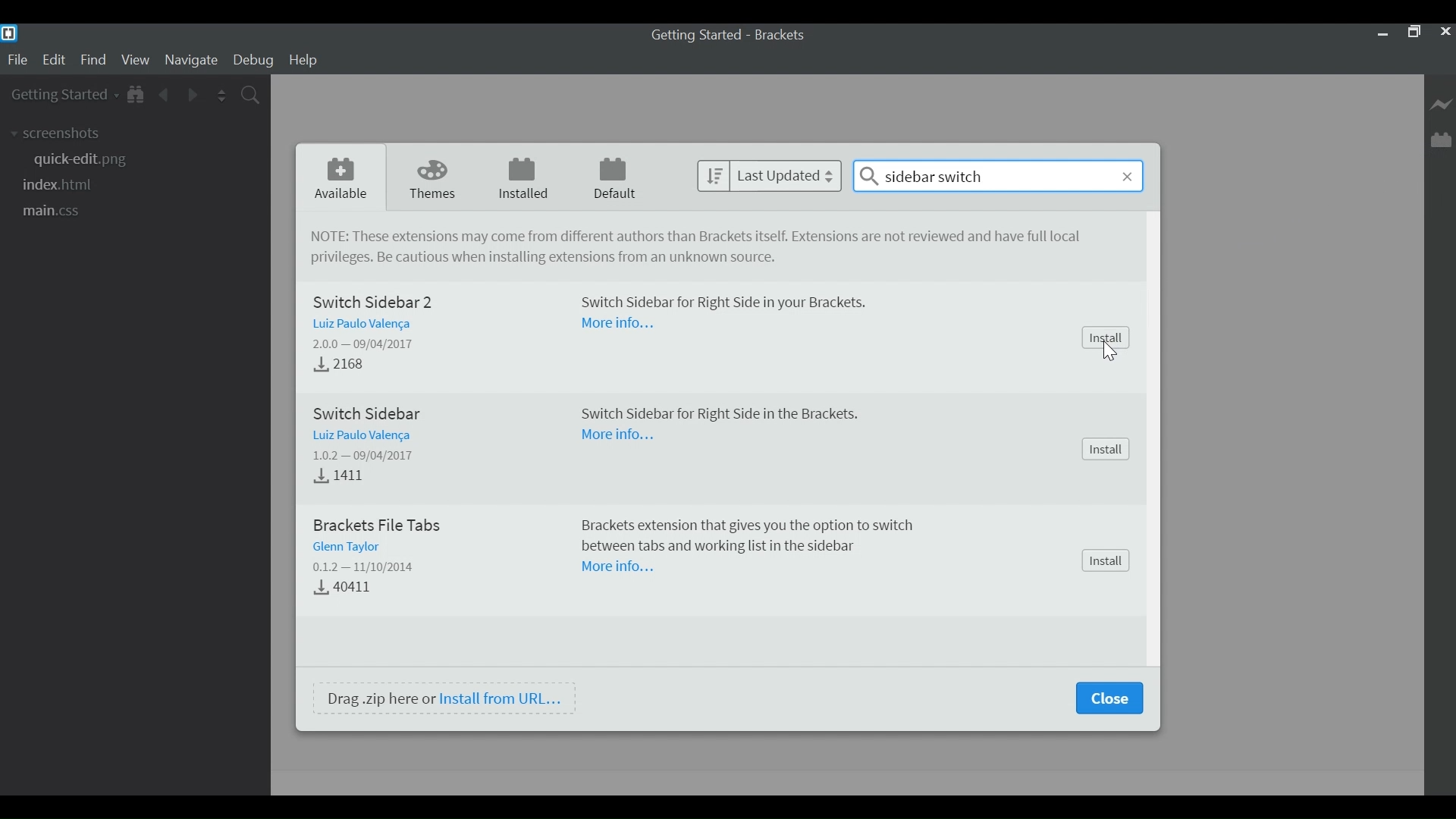 The height and width of the screenshot is (819, 1456). What do you see at coordinates (306, 60) in the screenshot?
I see `Help` at bounding box center [306, 60].